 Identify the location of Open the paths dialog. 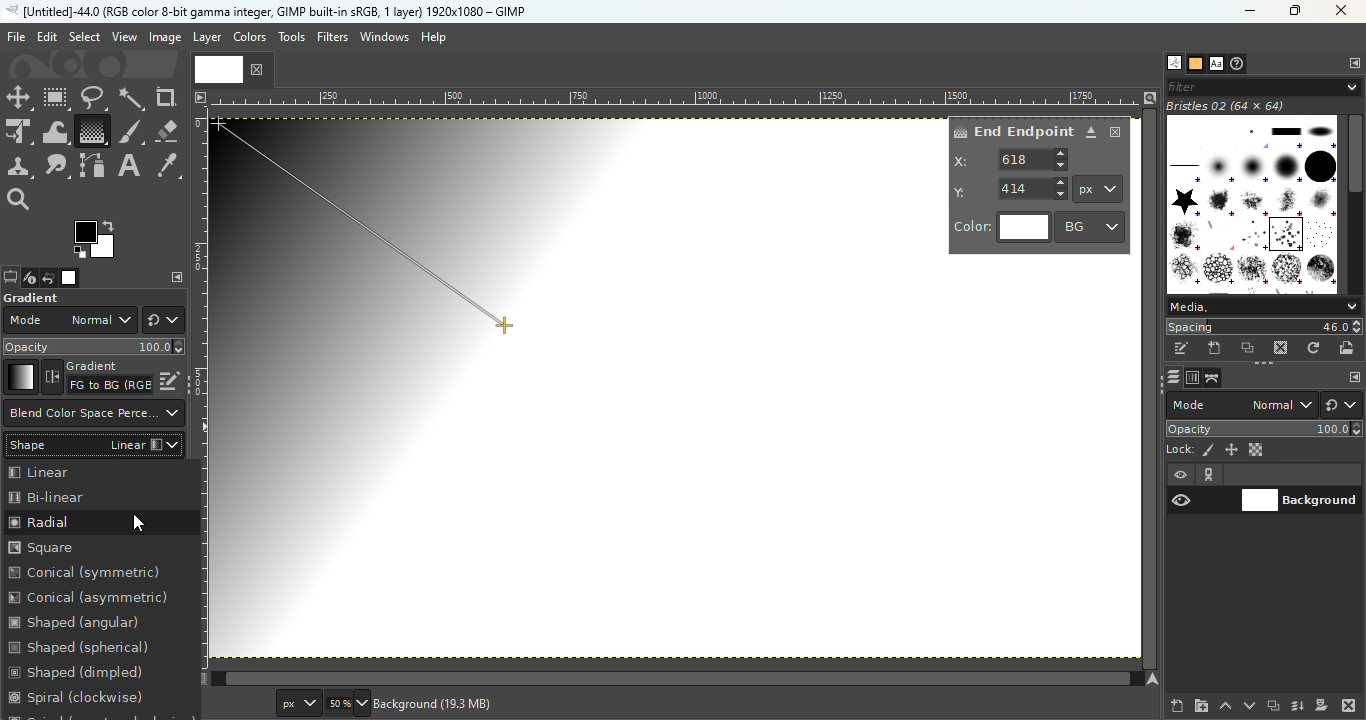
(1213, 378).